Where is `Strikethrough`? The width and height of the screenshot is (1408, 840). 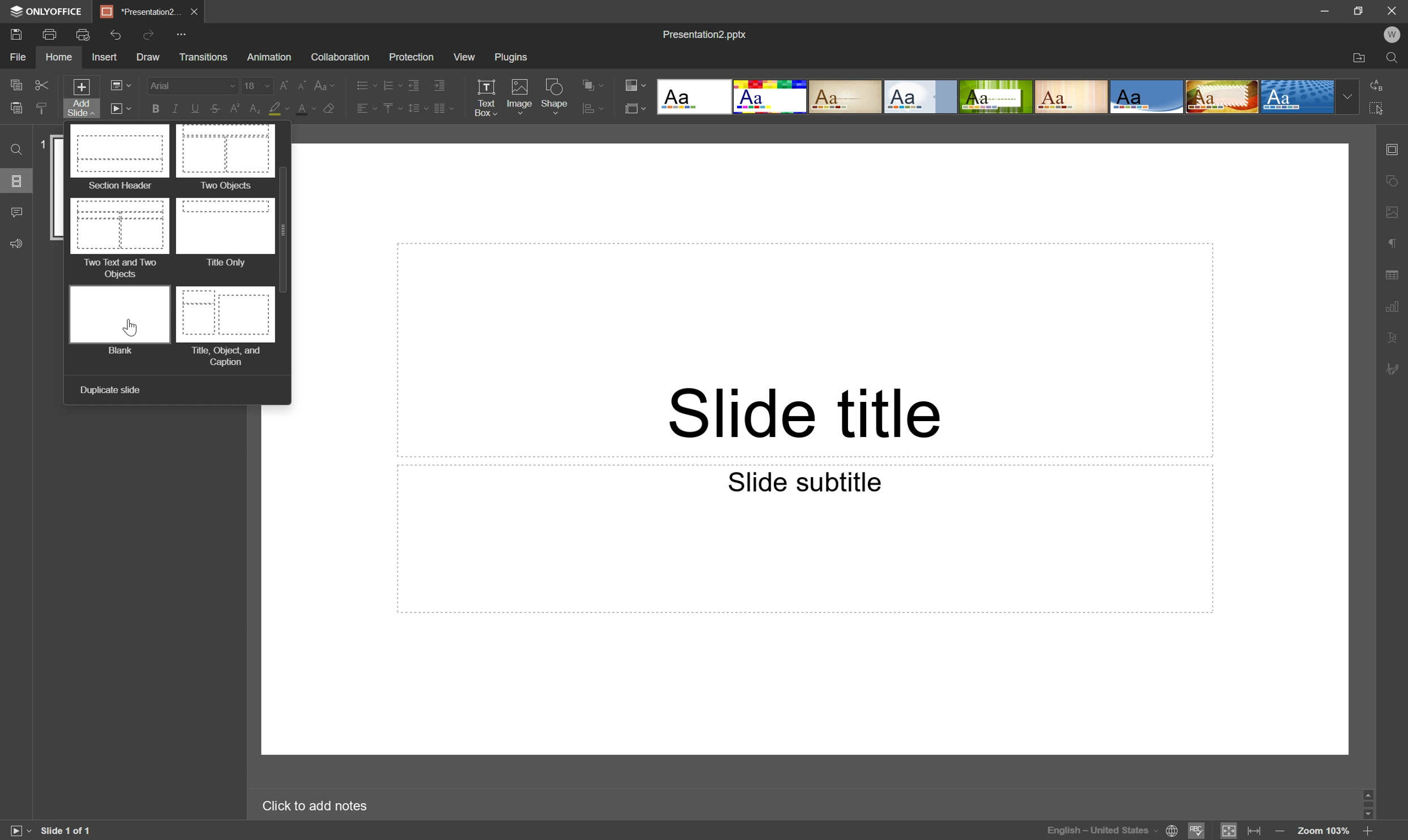 Strikethrough is located at coordinates (213, 109).